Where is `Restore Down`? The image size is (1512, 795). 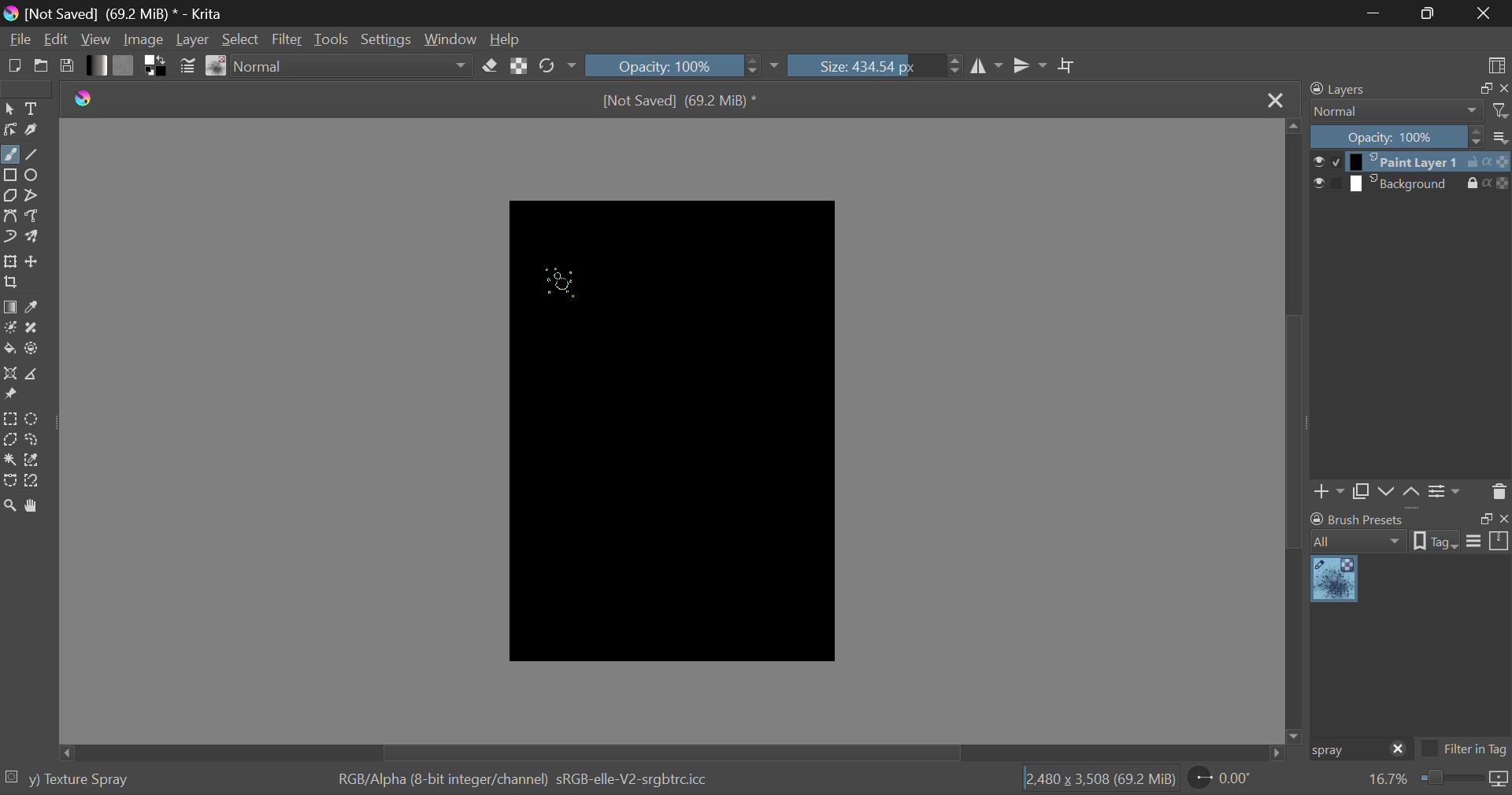
Restore Down is located at coordinates (1378, 13).